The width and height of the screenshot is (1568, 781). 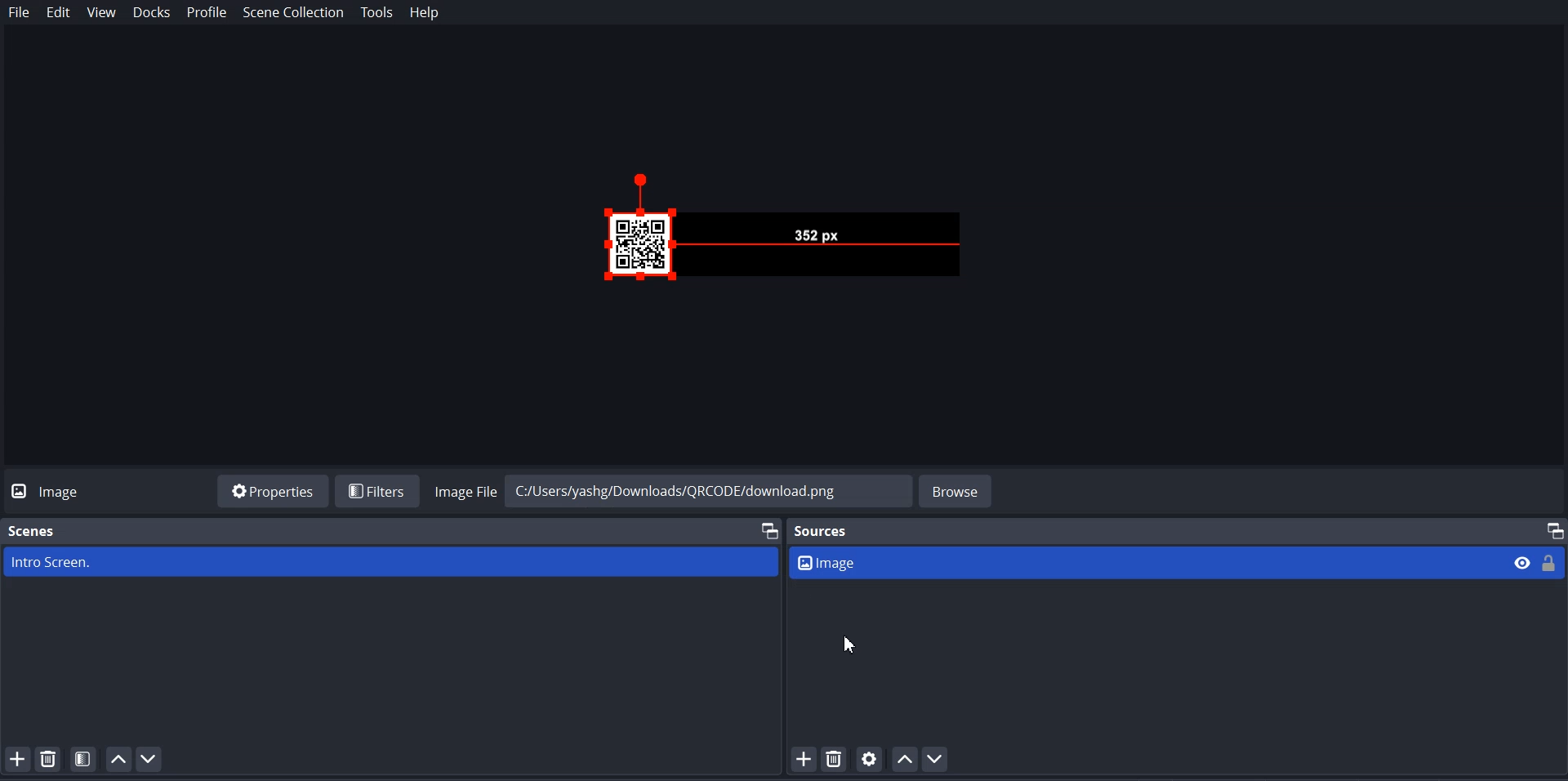 I want to click on Move Scene Up, so click(x=118, y=758).